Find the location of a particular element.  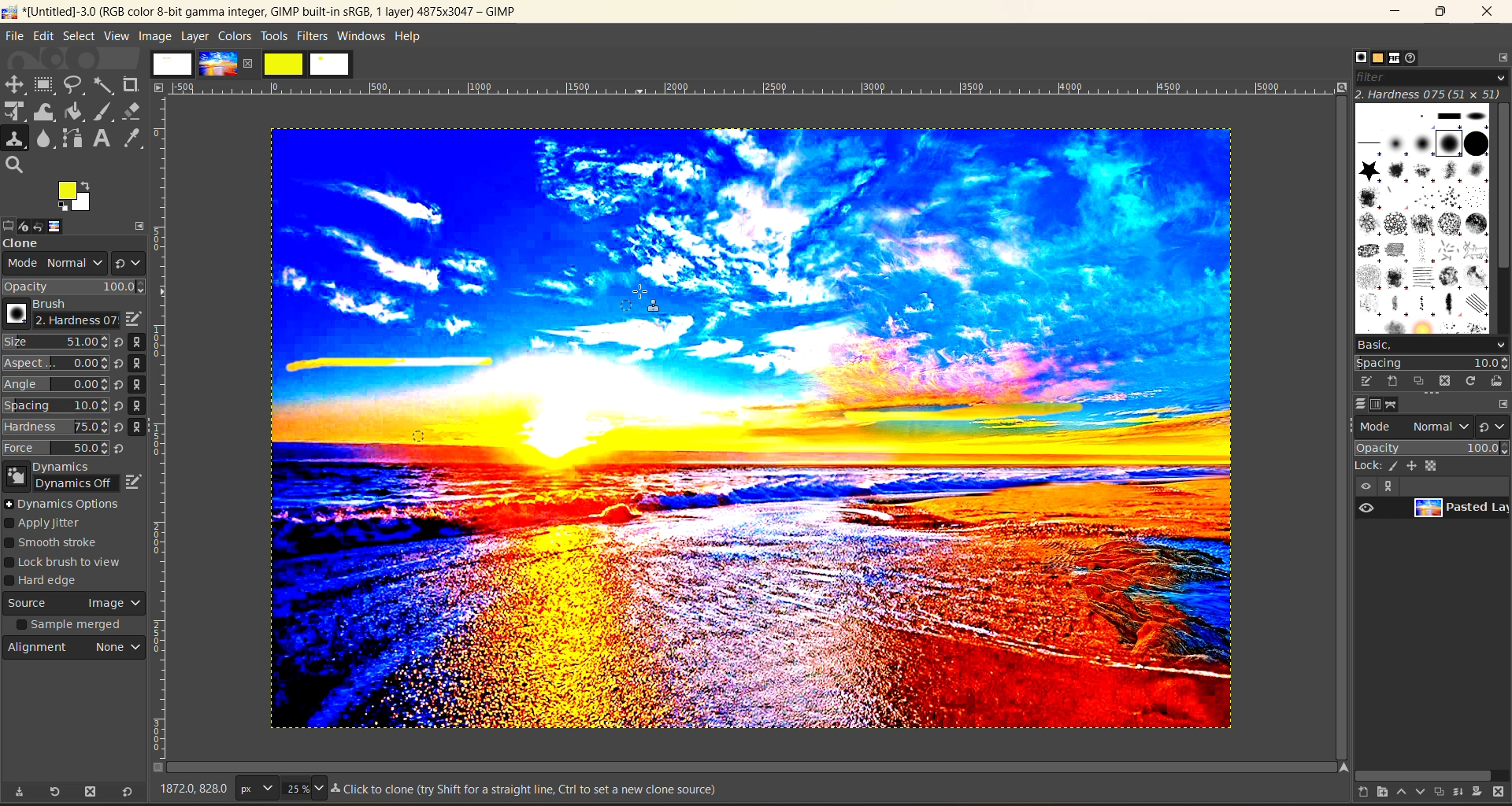

opacity is located at coordinates (1430, 447).